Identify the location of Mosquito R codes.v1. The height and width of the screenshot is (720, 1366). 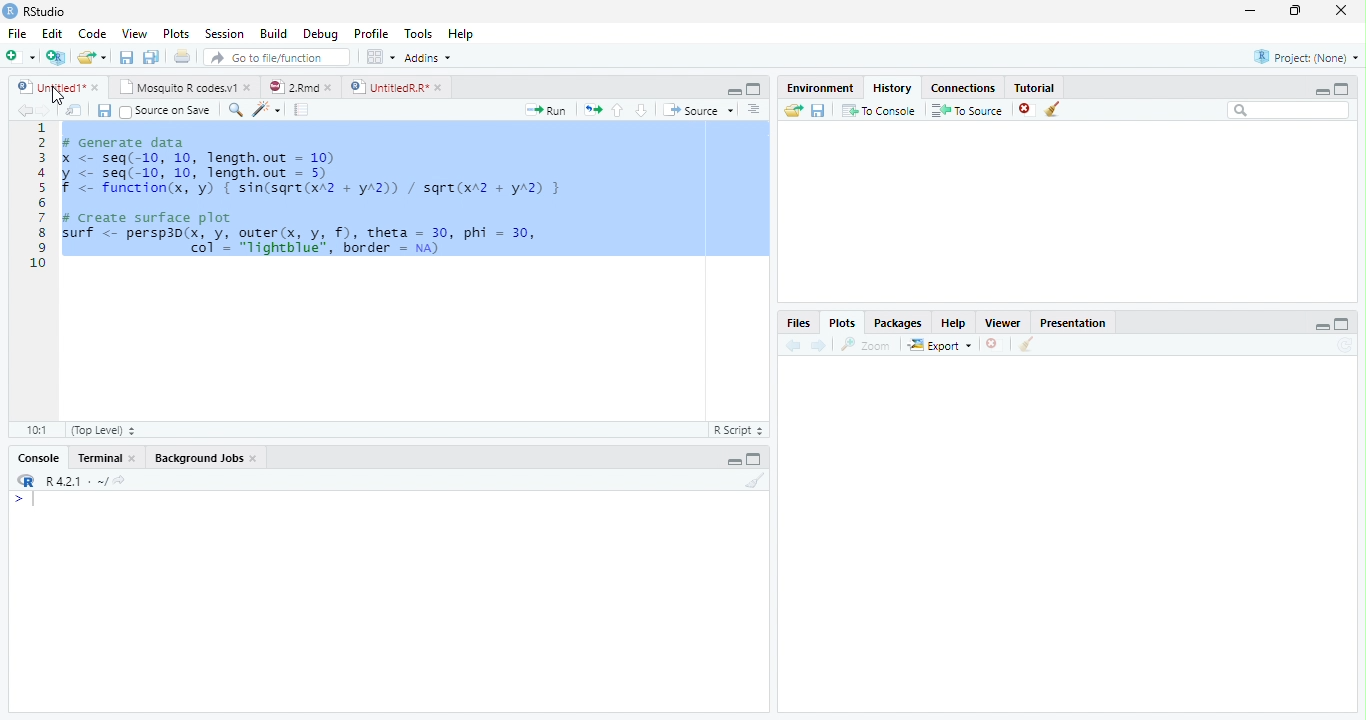
(175, 87).